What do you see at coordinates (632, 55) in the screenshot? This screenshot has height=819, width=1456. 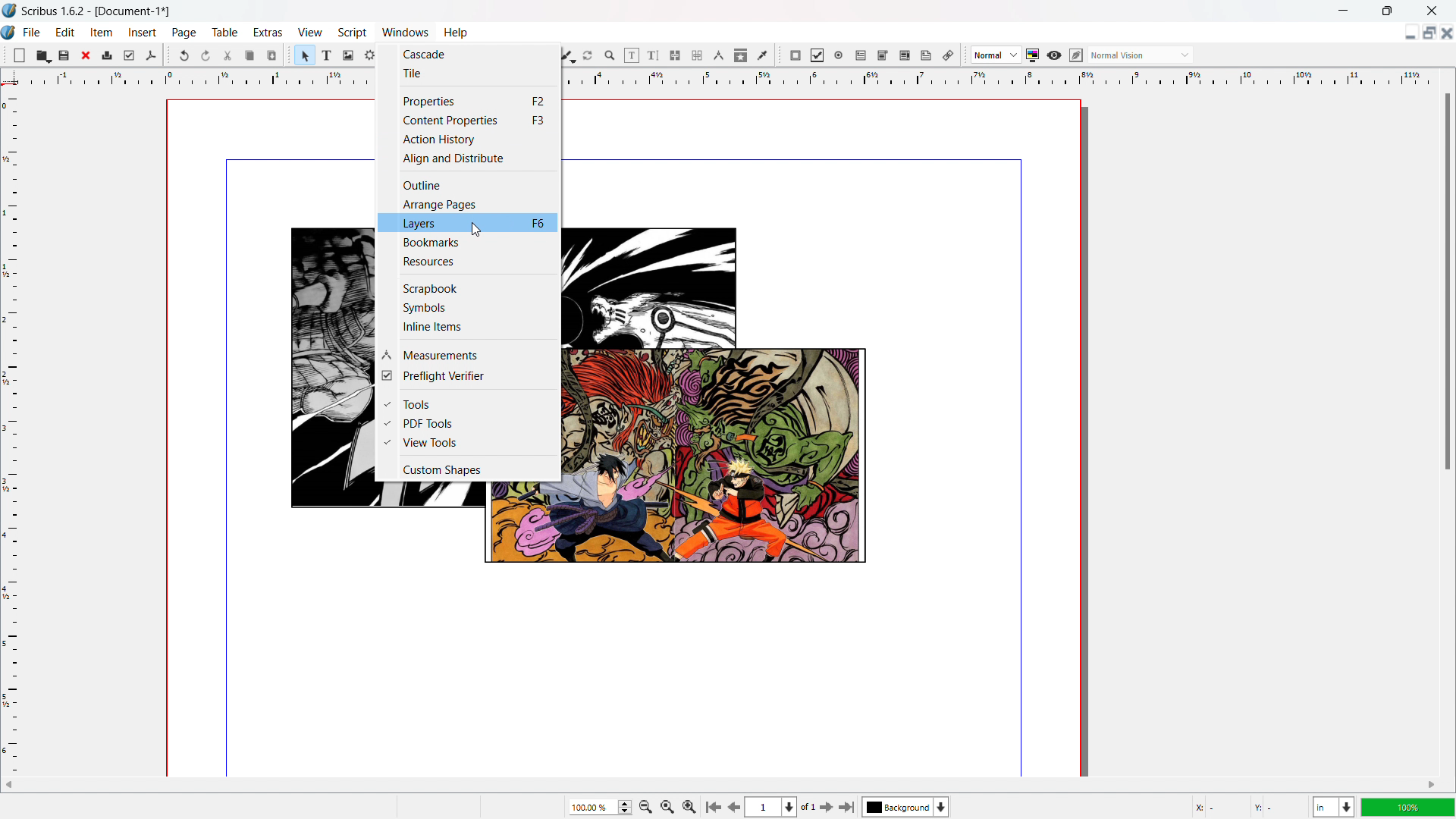 I see `edit contents of the frame` at bounding box center [632, 55].